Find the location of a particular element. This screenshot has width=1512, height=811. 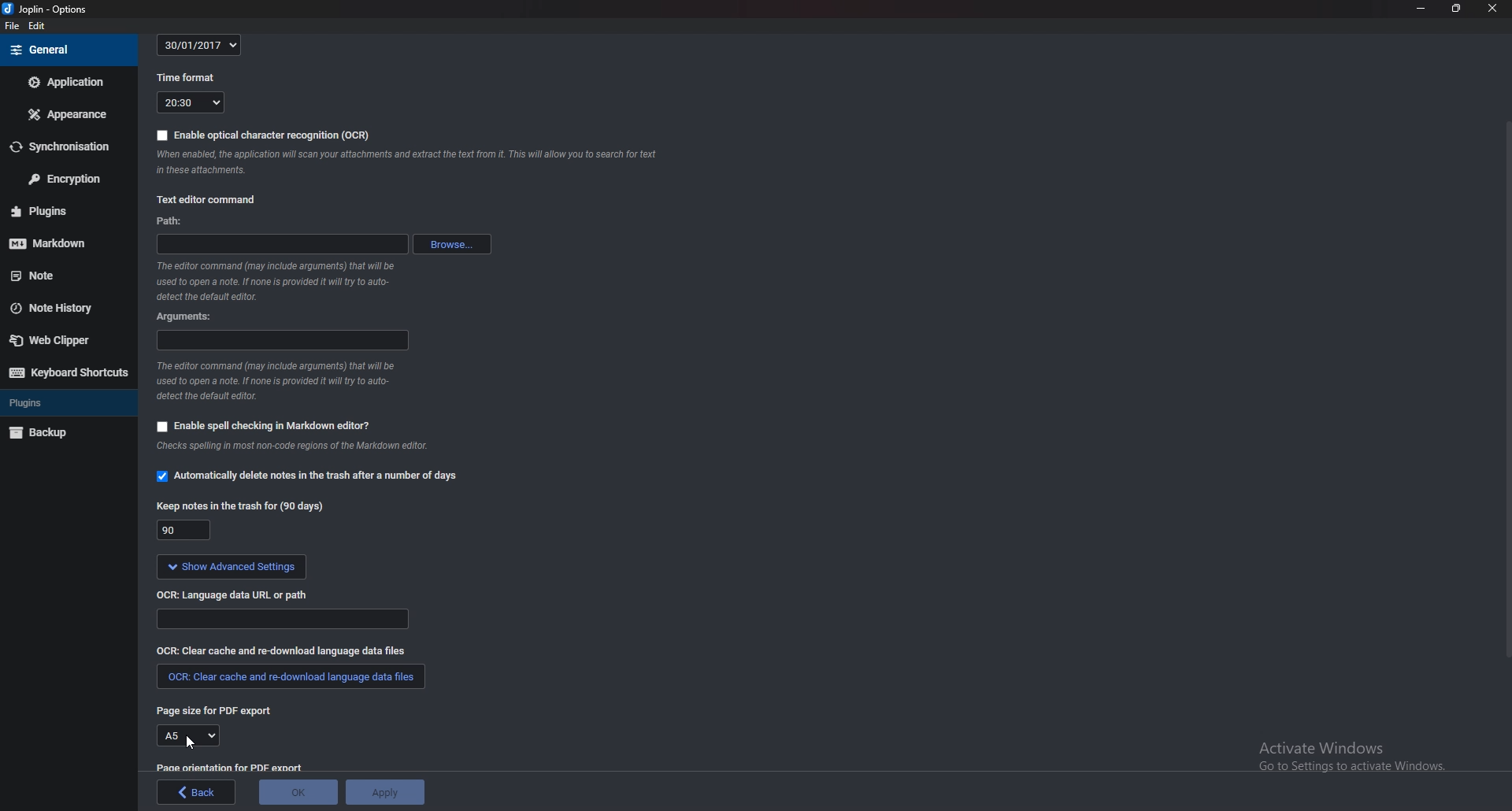

browse is located at coordinates (451, 244).